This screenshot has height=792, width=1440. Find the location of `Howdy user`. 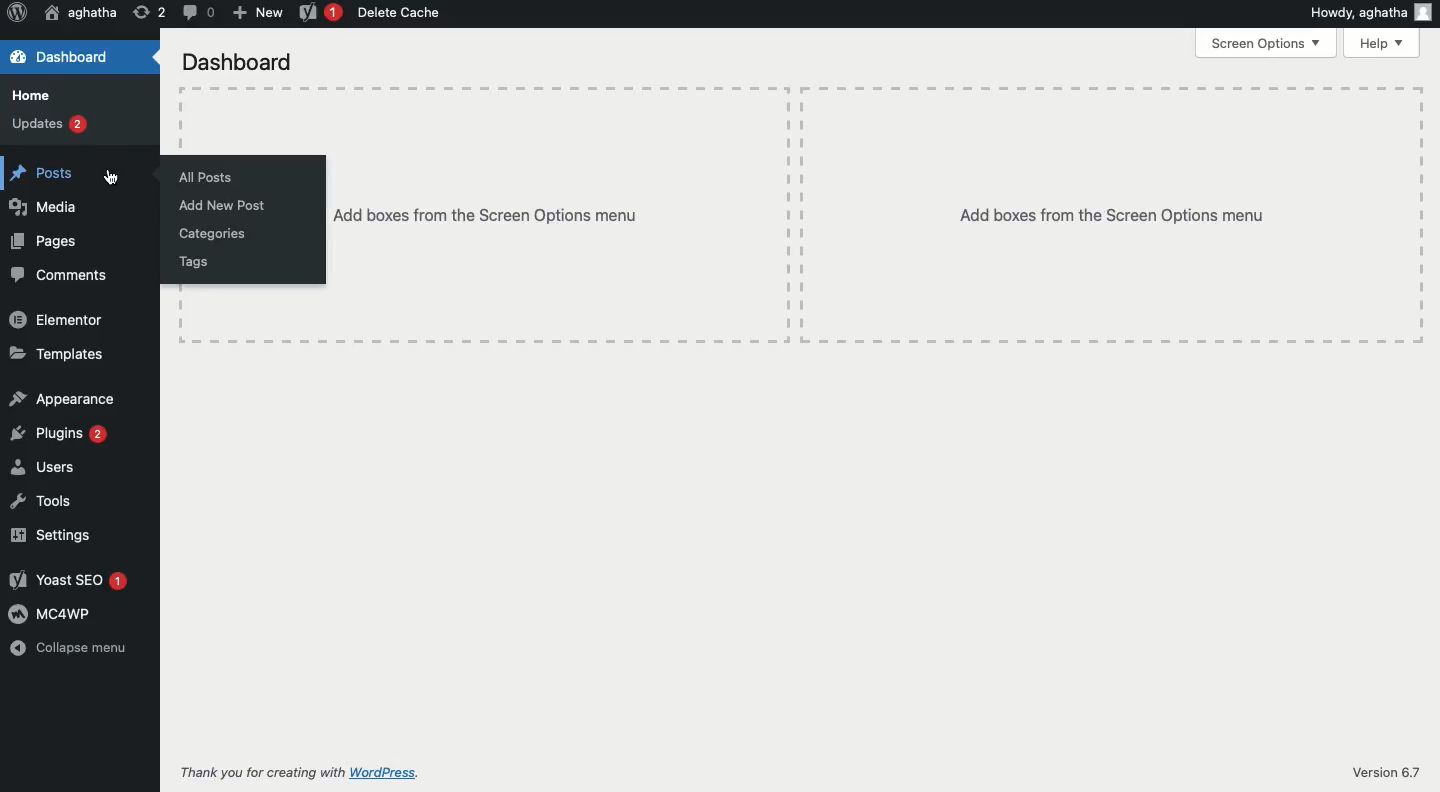

Howdy user is located at coordinates (1369, 15).